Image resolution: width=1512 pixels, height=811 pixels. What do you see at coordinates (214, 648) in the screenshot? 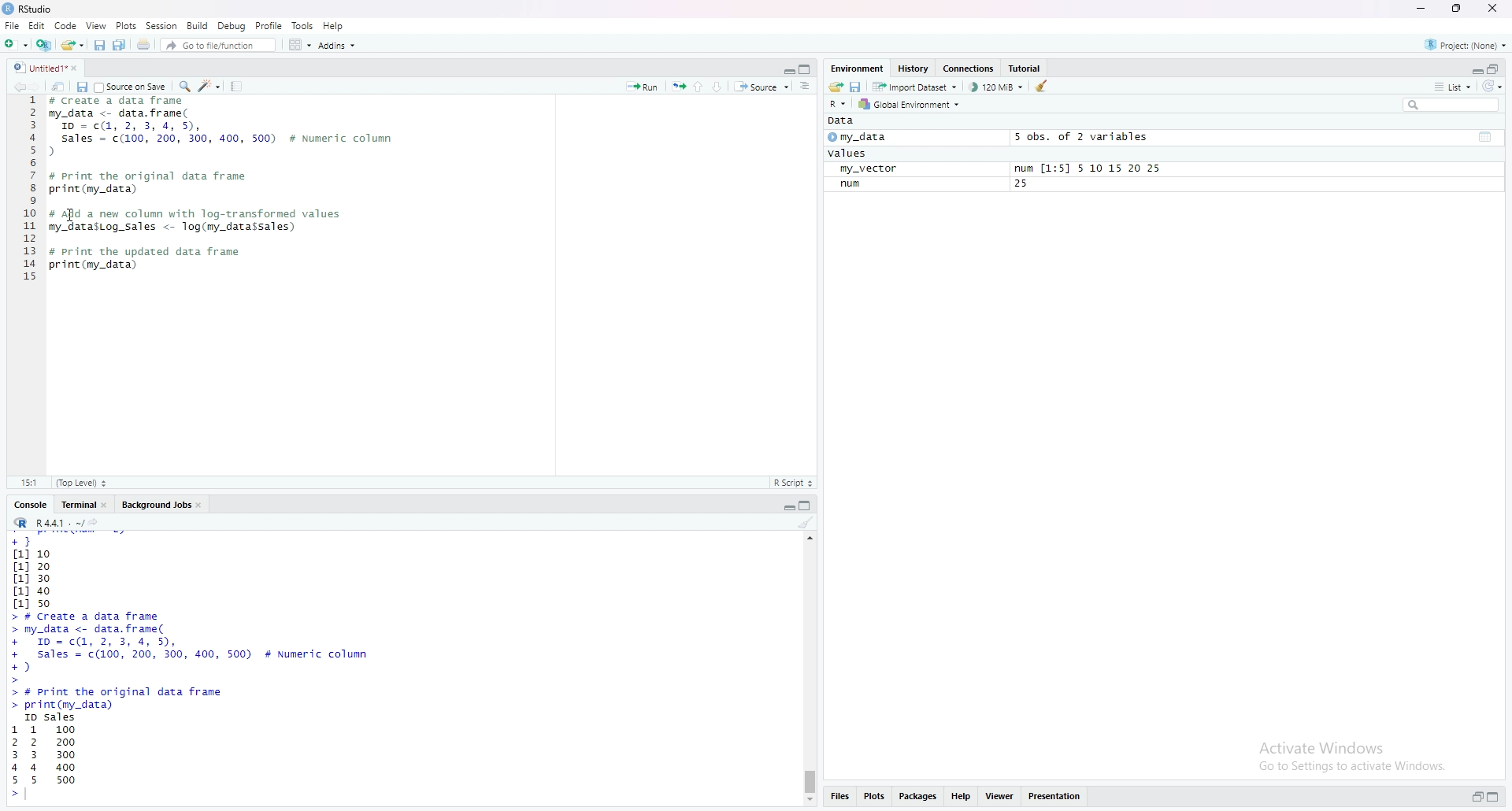
I see `sales & id data frame` at bounding box center [214, 648].